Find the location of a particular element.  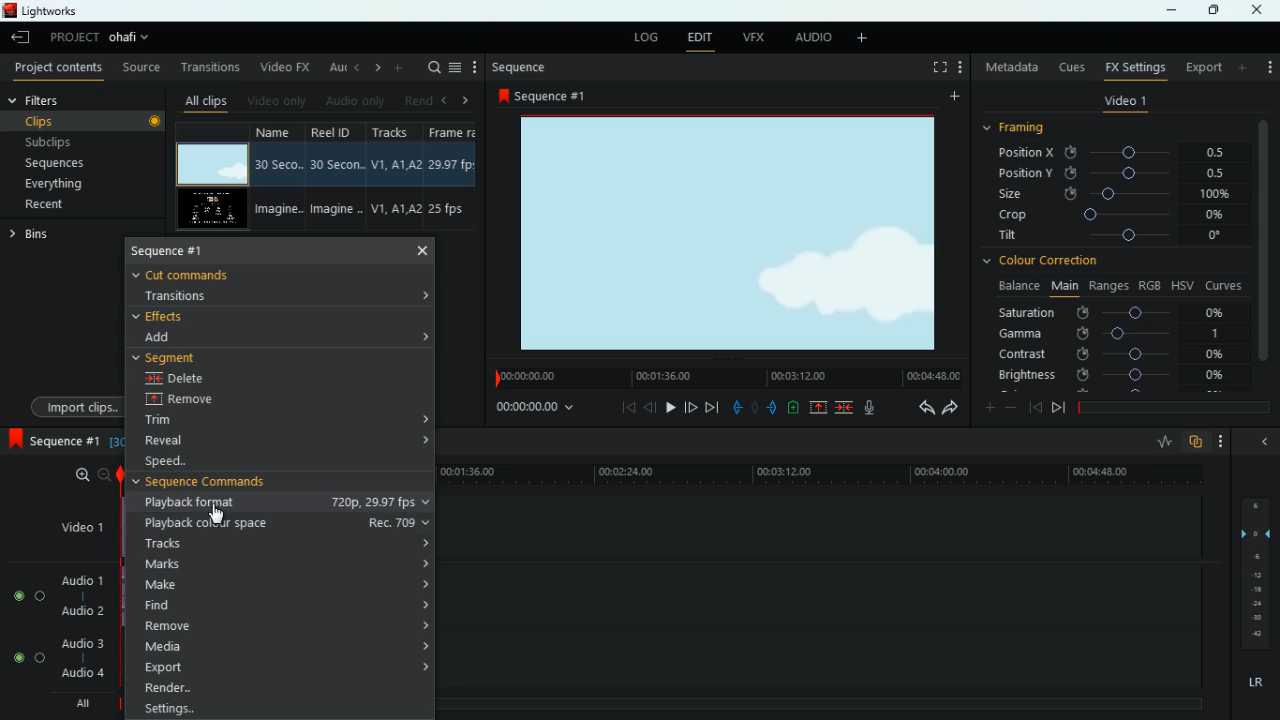

Audio is located at coordinates (28, 657).